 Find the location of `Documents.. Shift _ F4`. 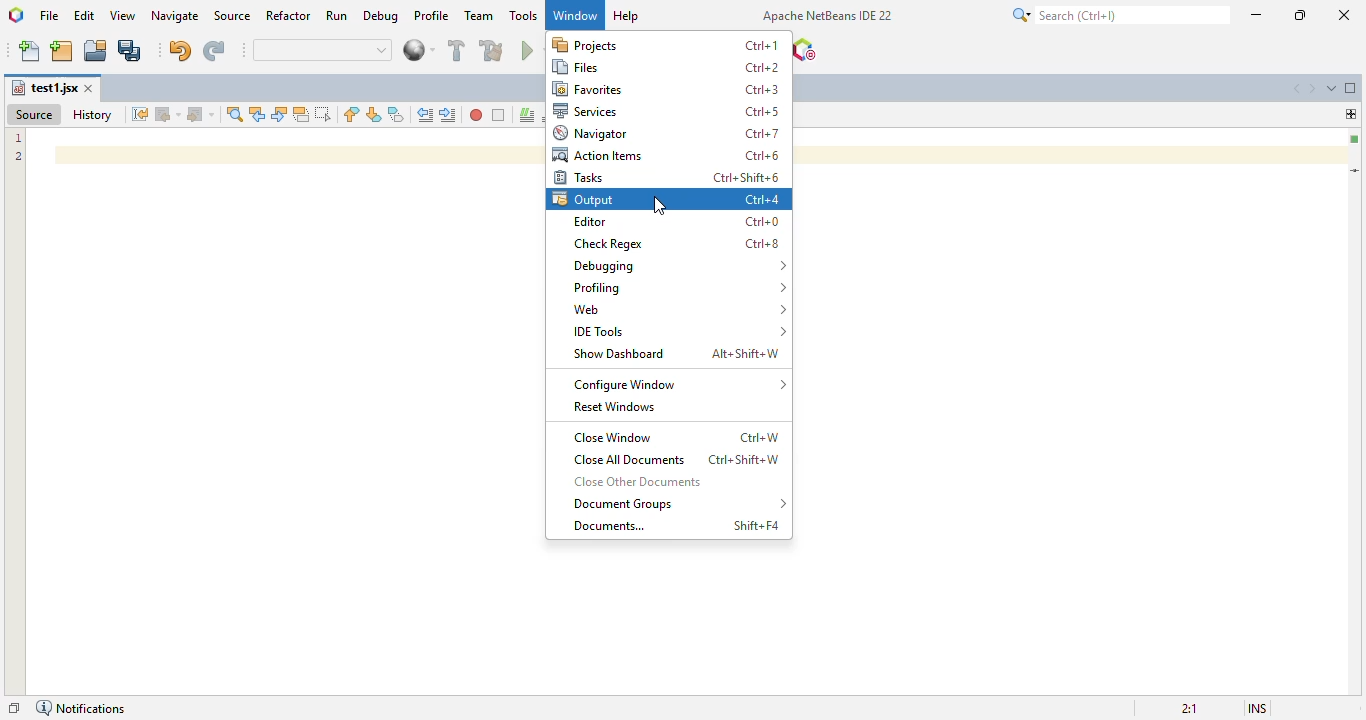

Documents.. Shift _ F4 is located at coordinates (678, 525).